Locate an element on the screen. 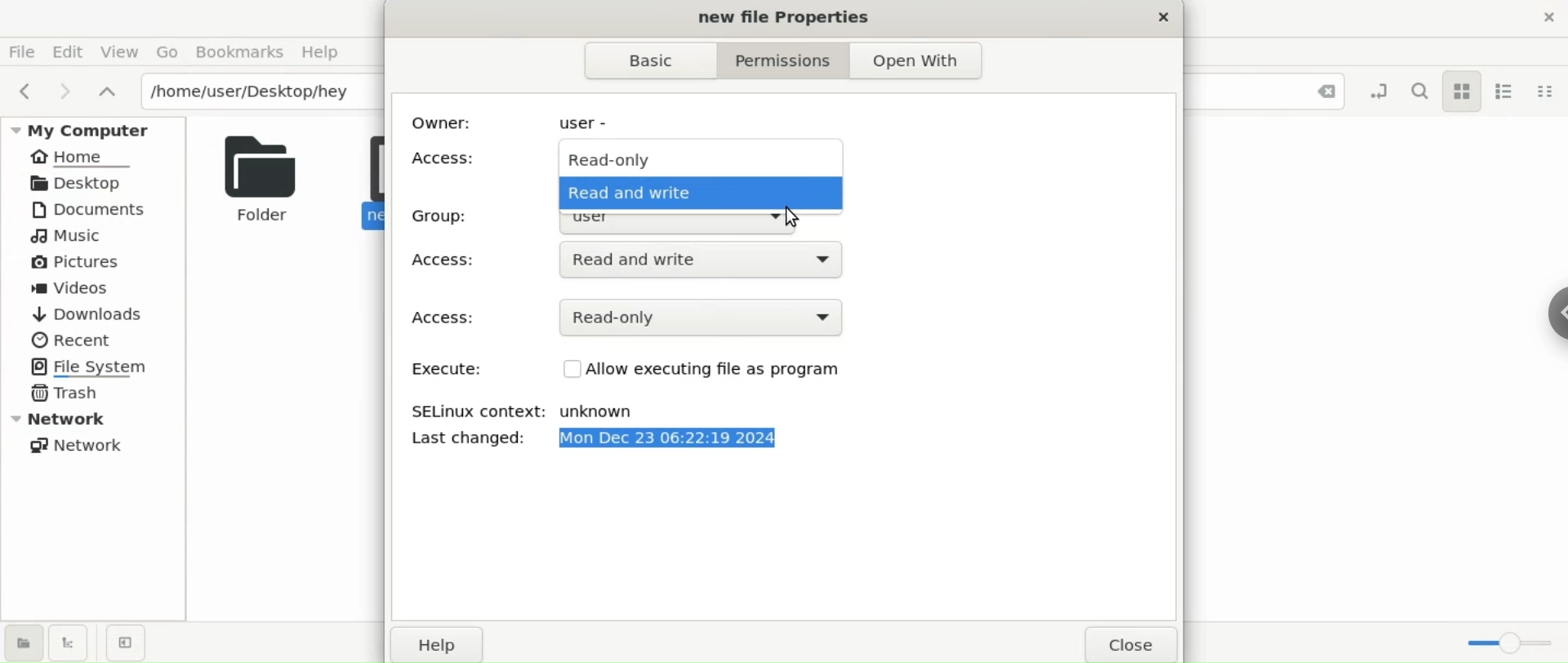  close is located at coordinates (1550, 22).